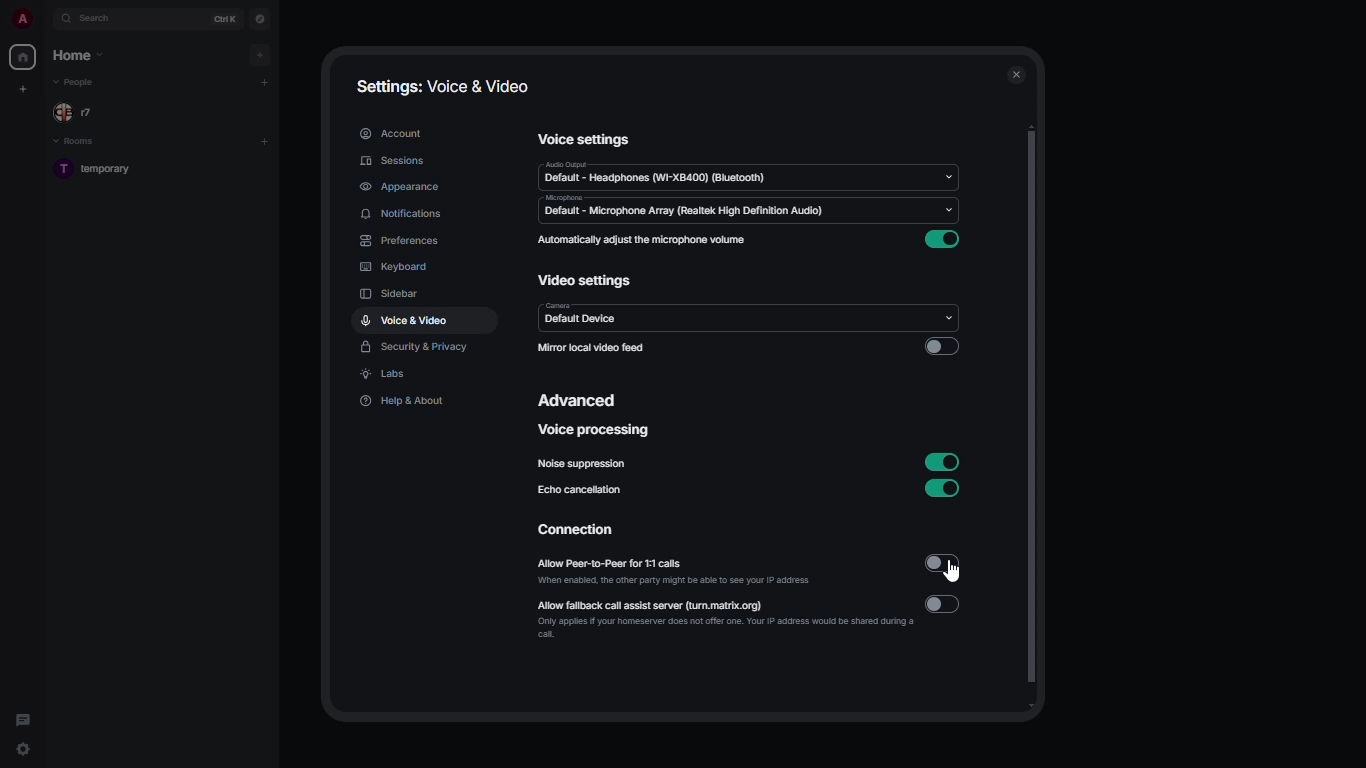  What do you see at coordinates (392, 295) in the screenshot?
I see `sidebar` at bounding box center [392, 295].